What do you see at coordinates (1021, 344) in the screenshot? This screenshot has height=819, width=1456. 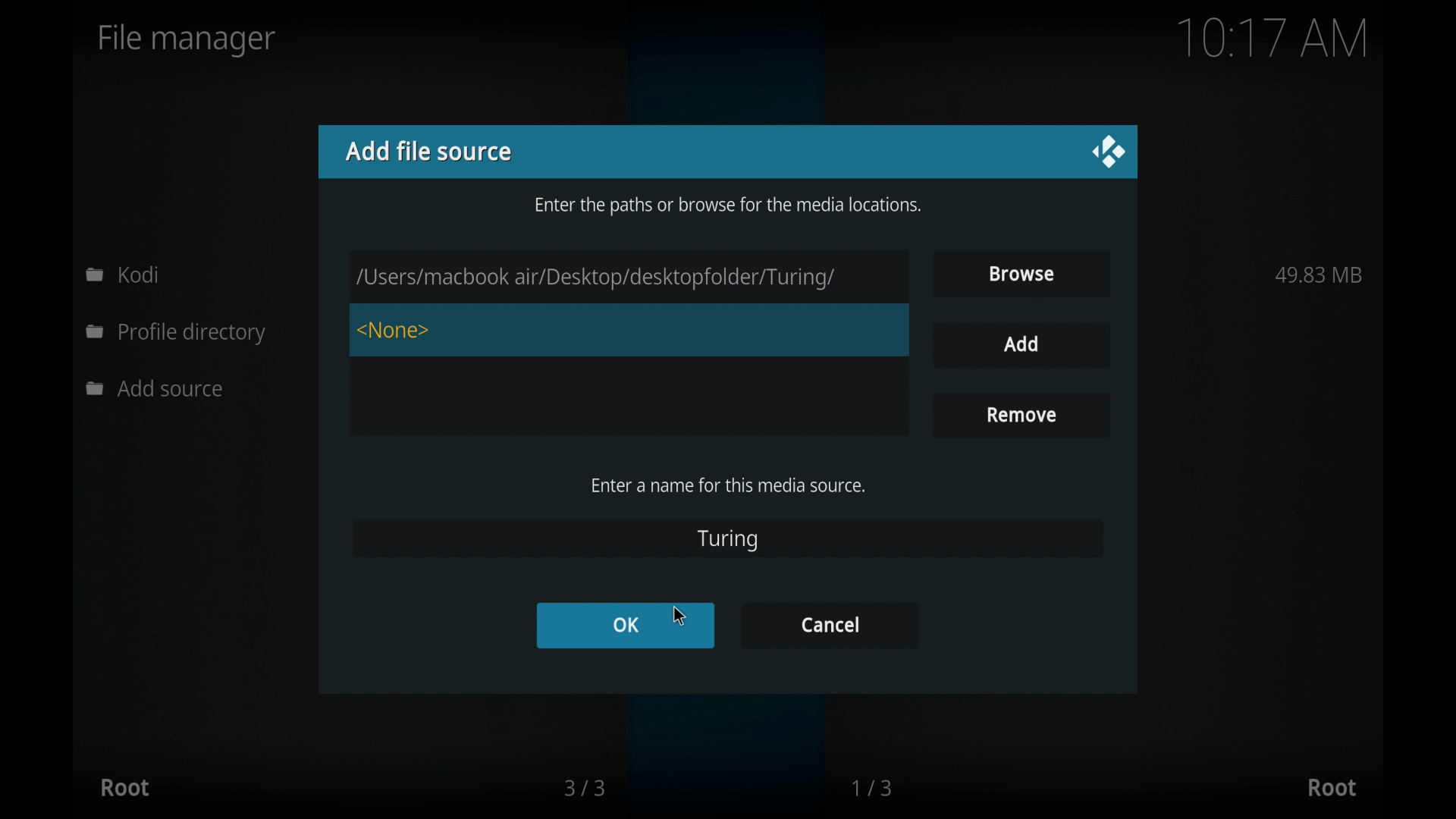 I see `add` at bounding box center [1021, 344].